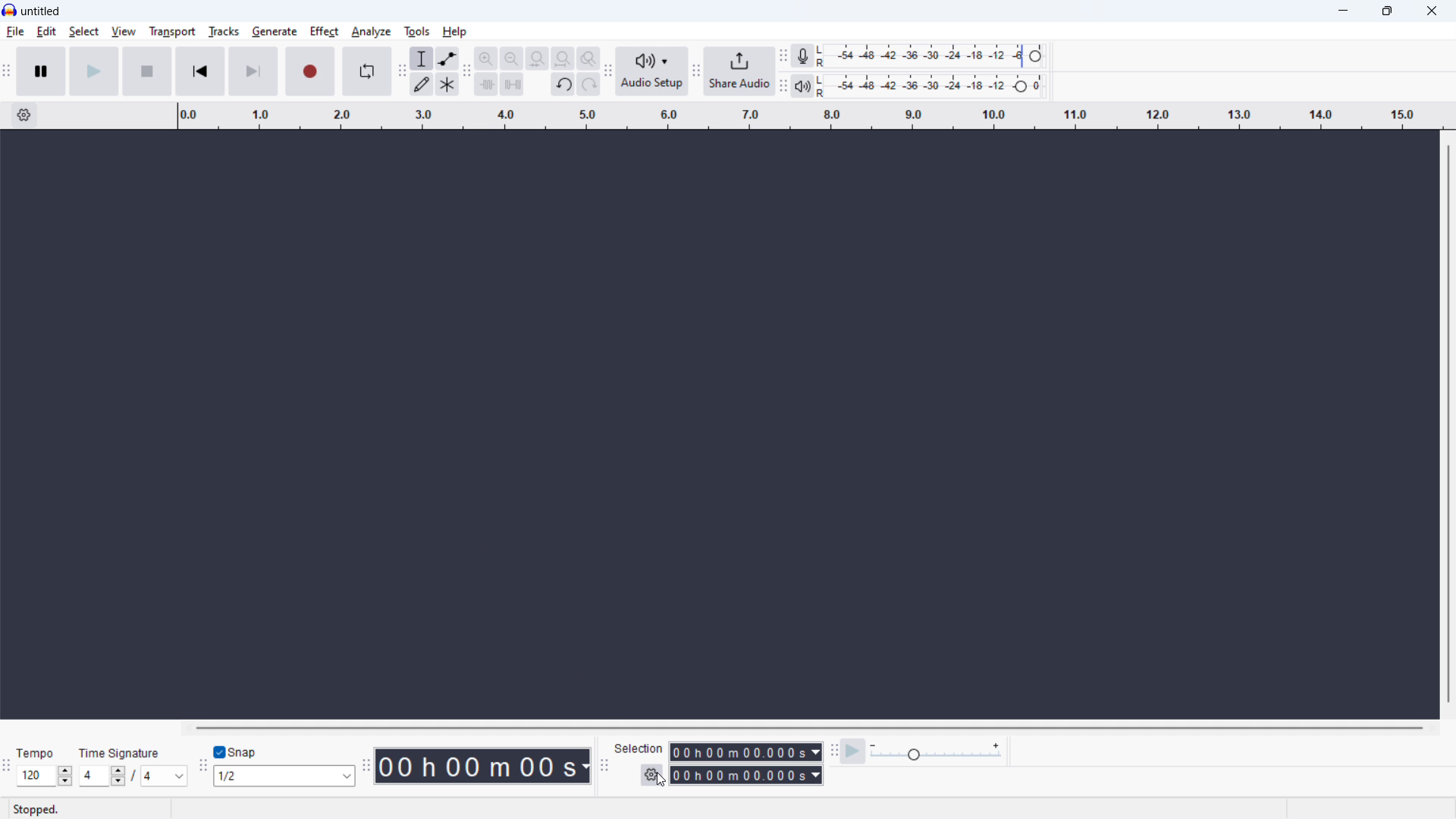 This screenshot has width=1456, height=819. Describe the element at coordinates (563, 85) in the screenshot. I see `undo` at that location.